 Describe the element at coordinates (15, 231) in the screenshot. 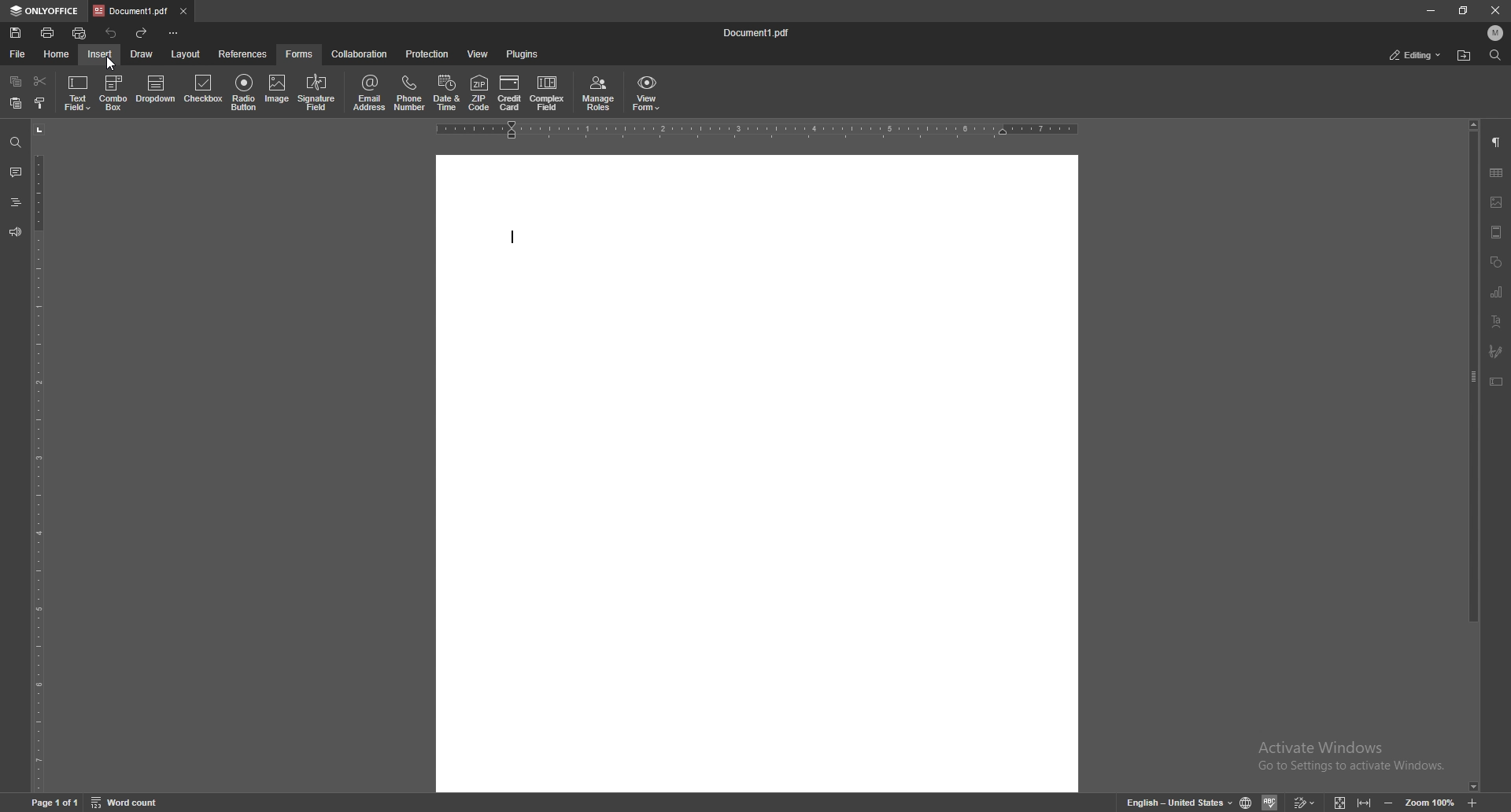

I see `feedback` at that location.